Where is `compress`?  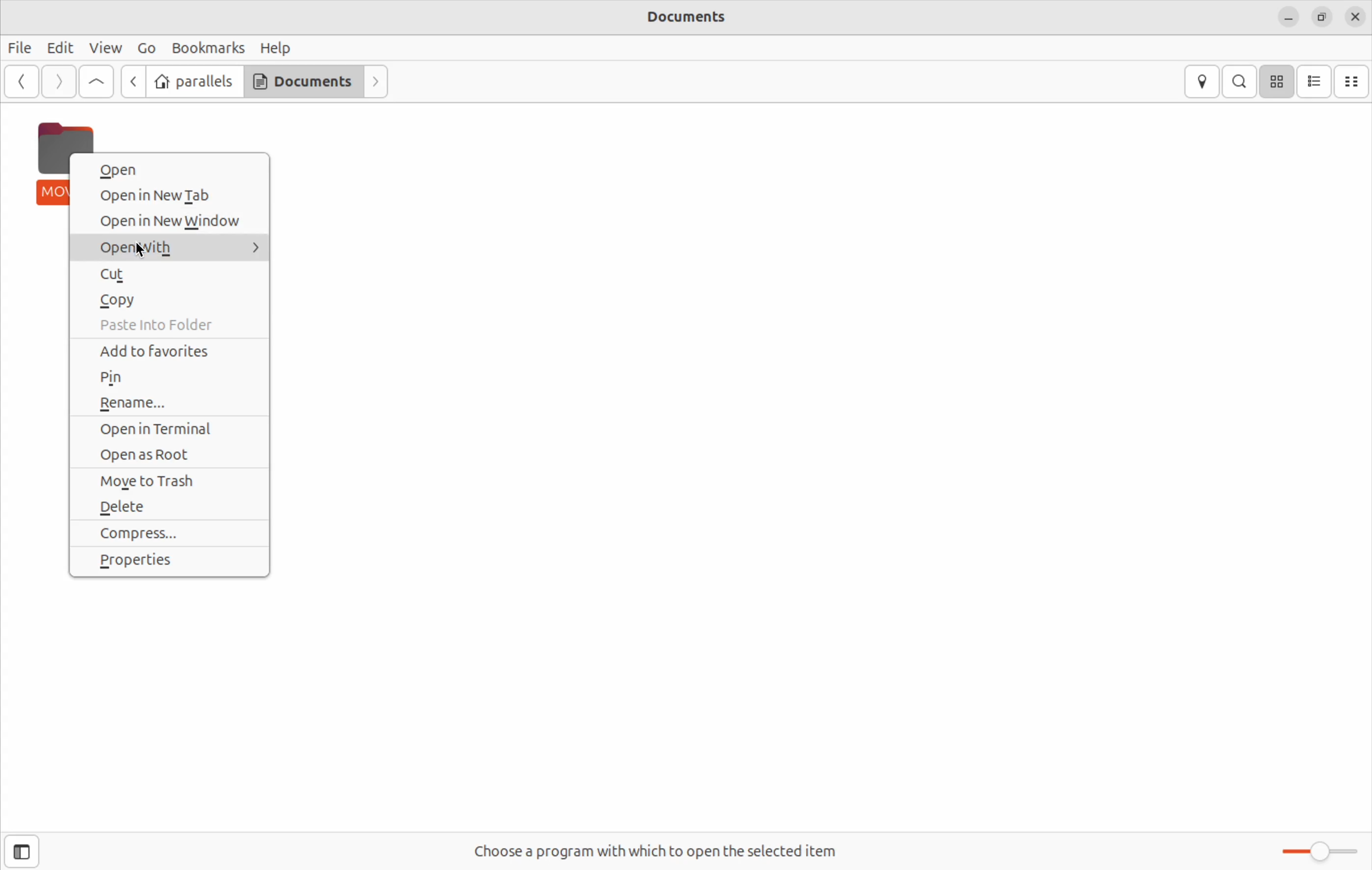
compress is located at coordinates (170, 533).